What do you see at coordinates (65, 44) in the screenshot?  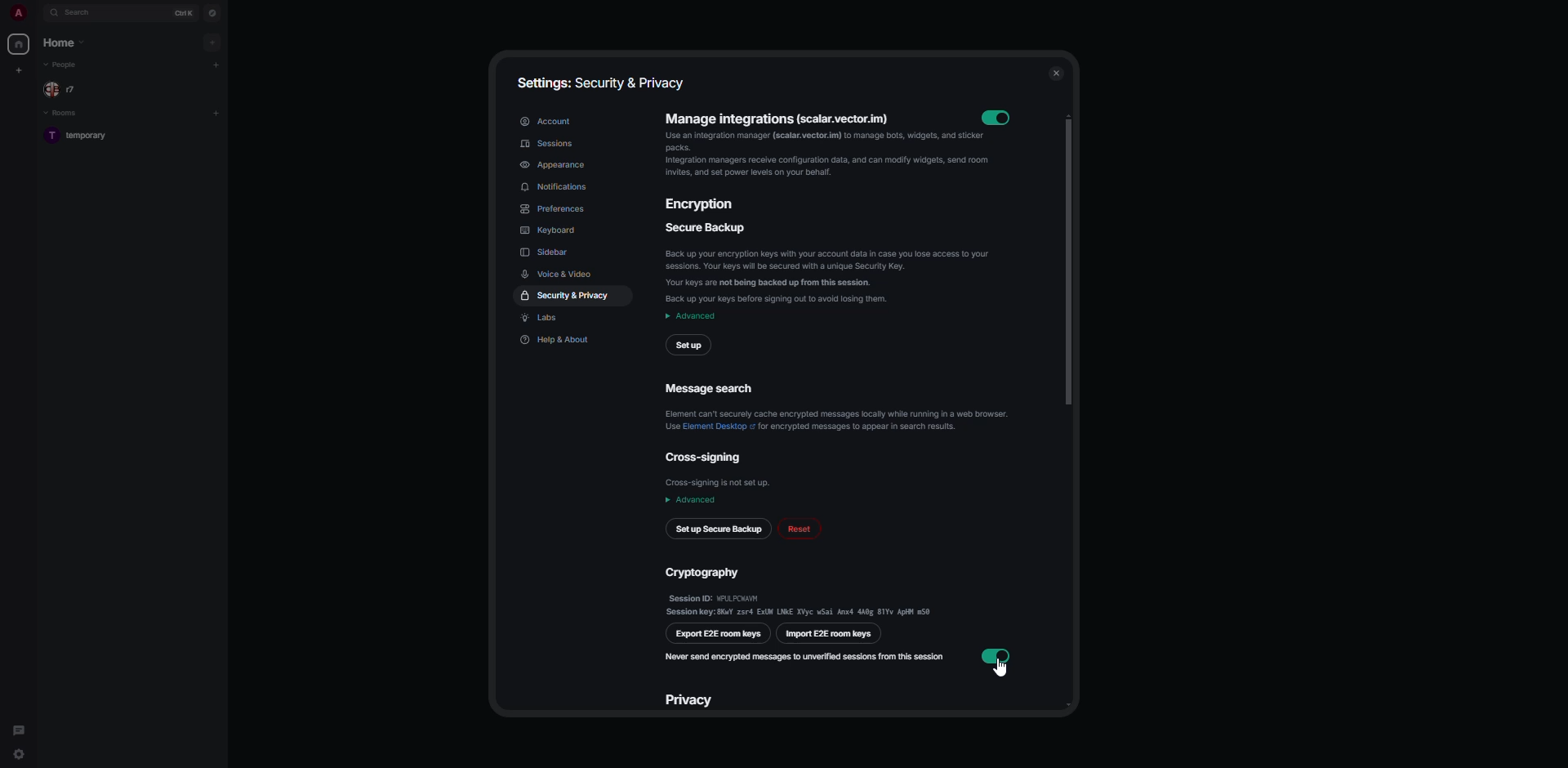 I see `home` at bounding box center [65, 44].